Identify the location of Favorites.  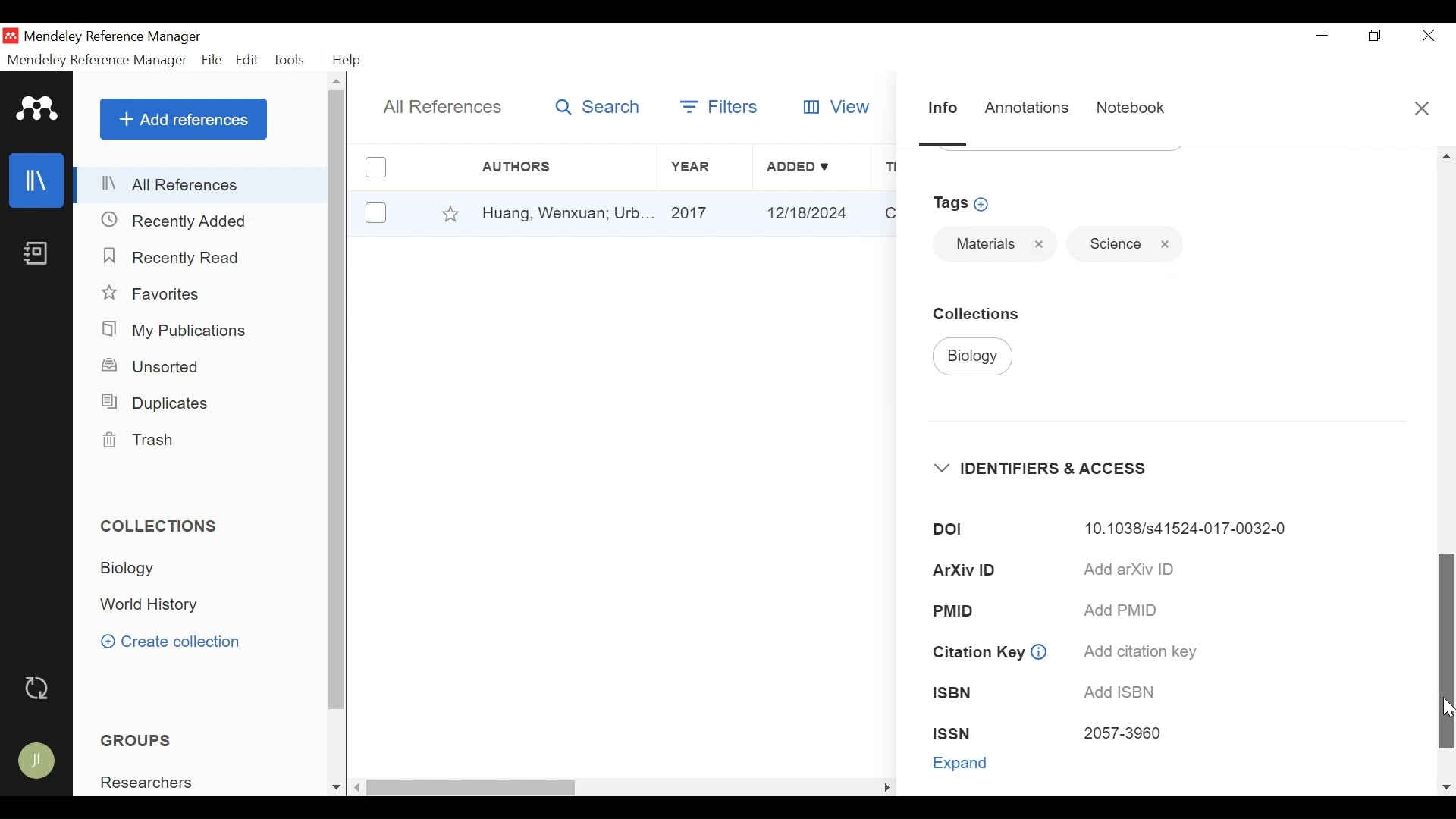
(451, 212).